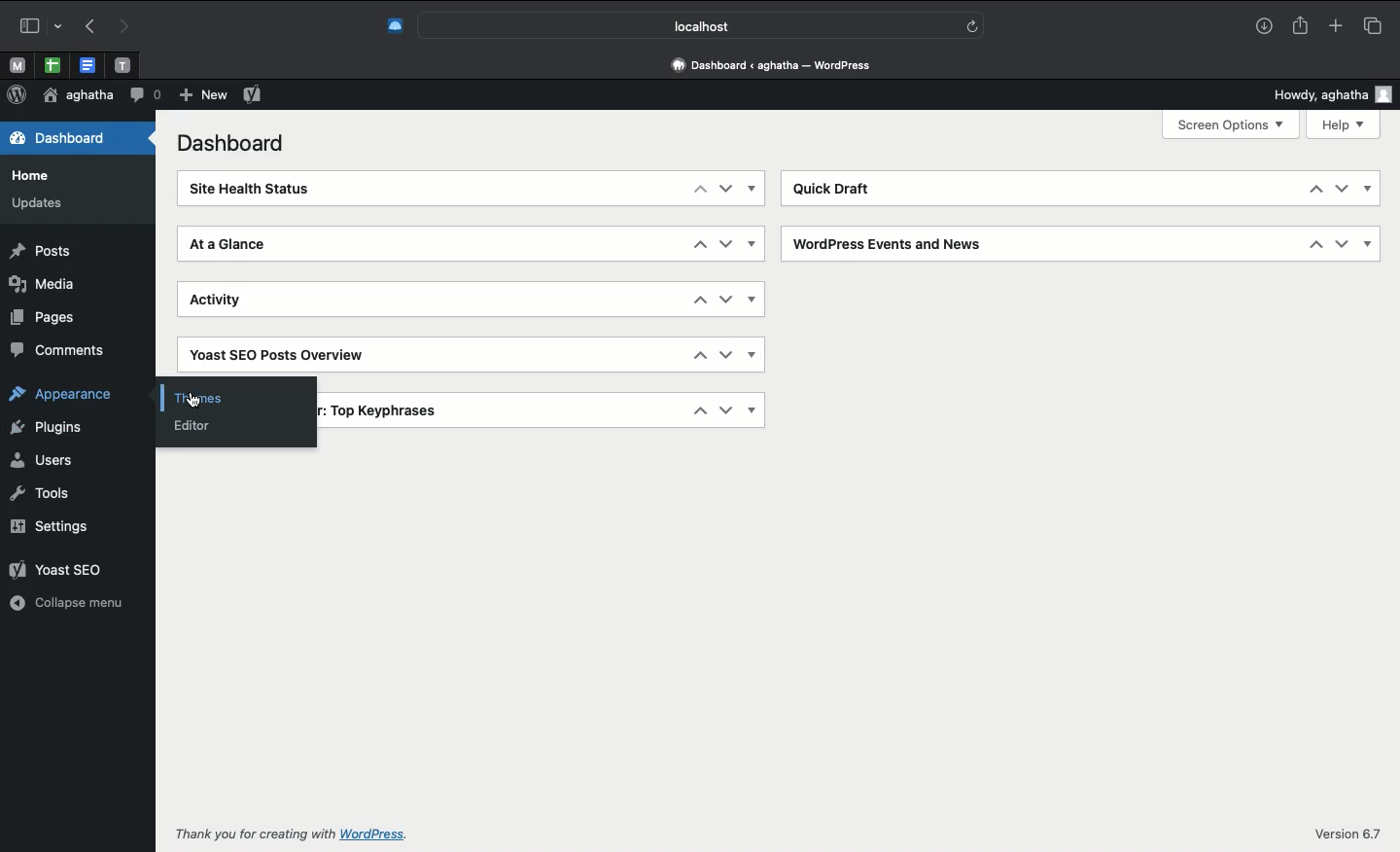 The height and width of the screenshot is (852, 1400). I want to click on Show, so click(752, 410).